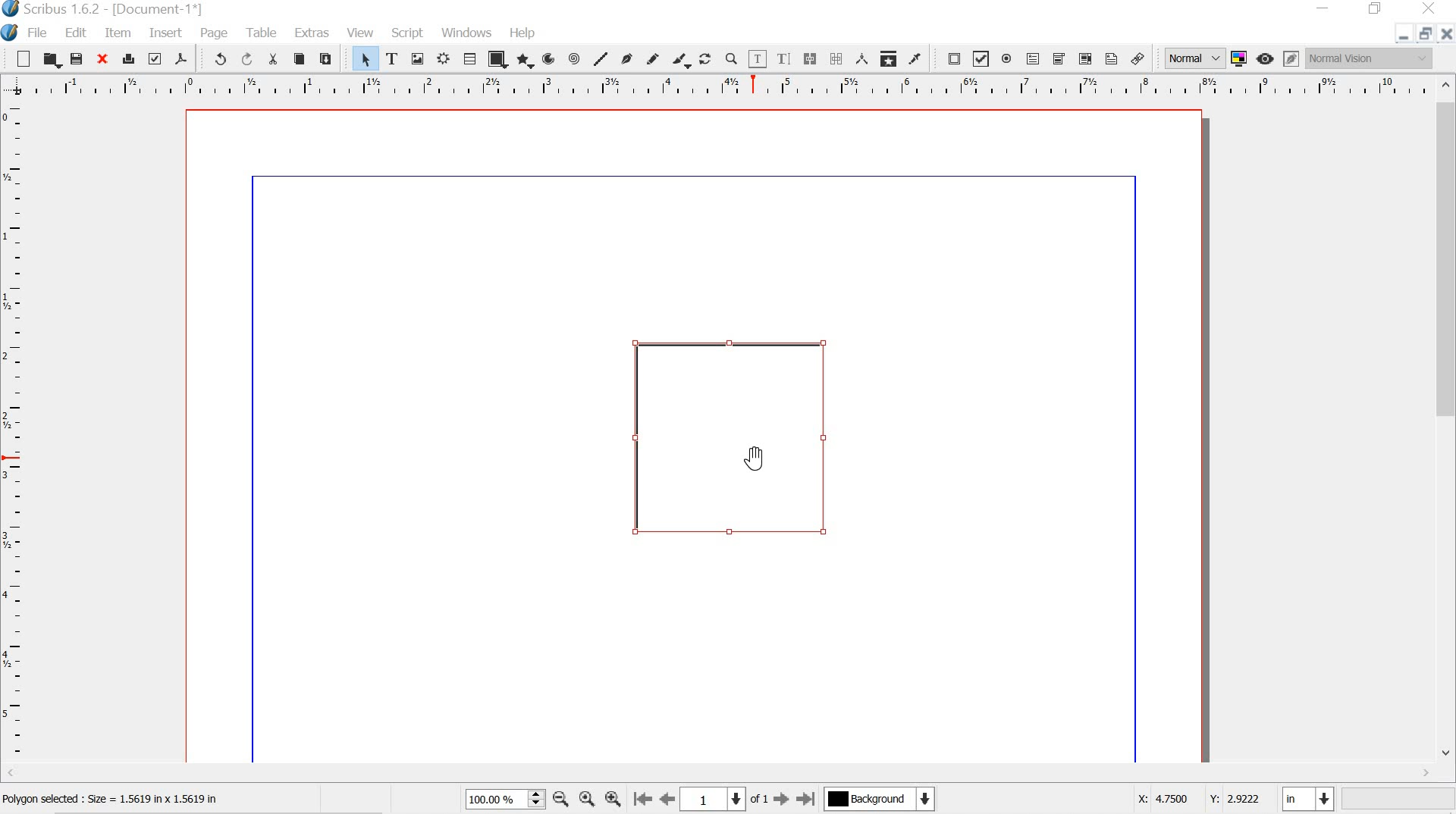  Describe the element at coordinates (129, 58) in the screenshot. I see `print` at that location.